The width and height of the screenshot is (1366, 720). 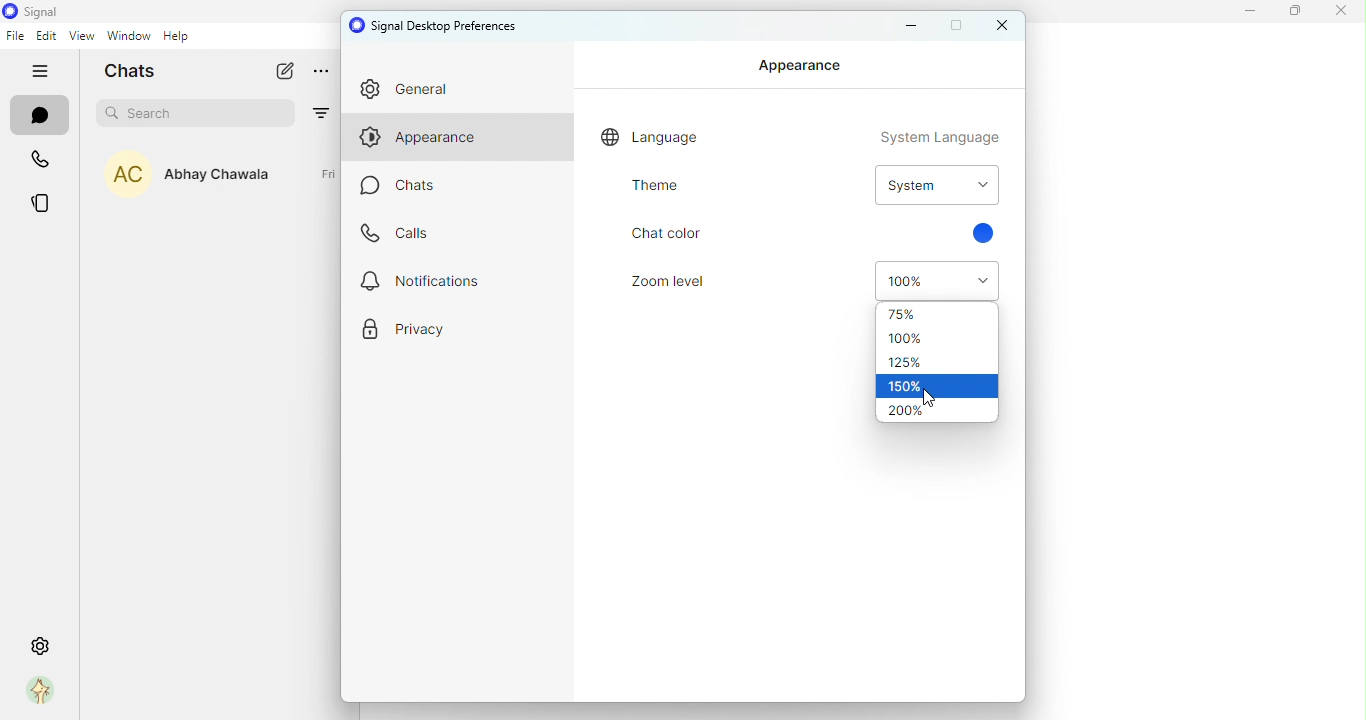 I want to click on minimize, so click(x=1249, y=15).